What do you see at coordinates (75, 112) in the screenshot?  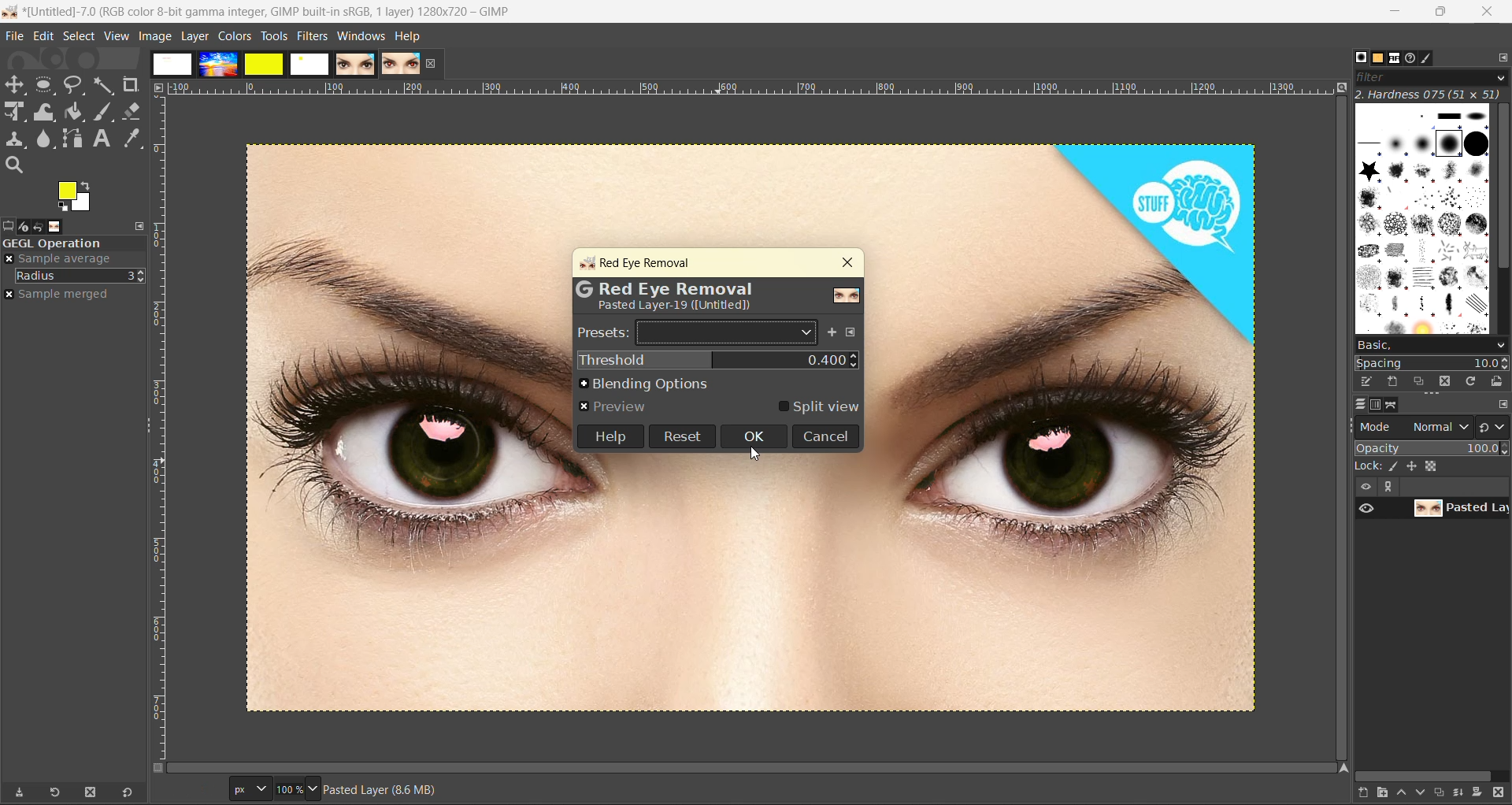 I see `paint bucket` at bounding box center [75, 112].